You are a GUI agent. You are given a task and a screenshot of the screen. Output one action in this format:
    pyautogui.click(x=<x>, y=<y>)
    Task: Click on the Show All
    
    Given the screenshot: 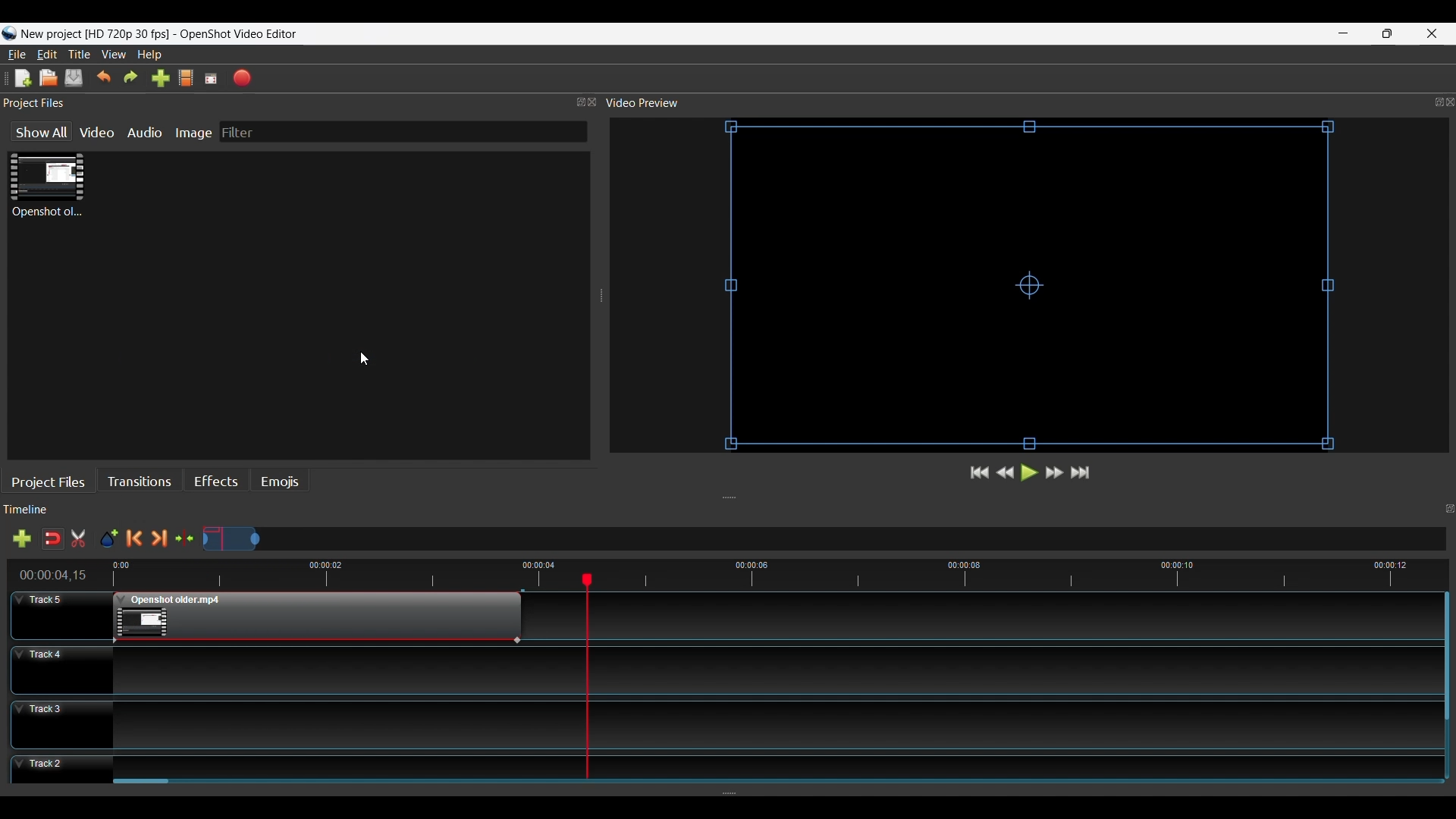 What is the action you would take?
    pyautogui.click(x=36, y=133)
    